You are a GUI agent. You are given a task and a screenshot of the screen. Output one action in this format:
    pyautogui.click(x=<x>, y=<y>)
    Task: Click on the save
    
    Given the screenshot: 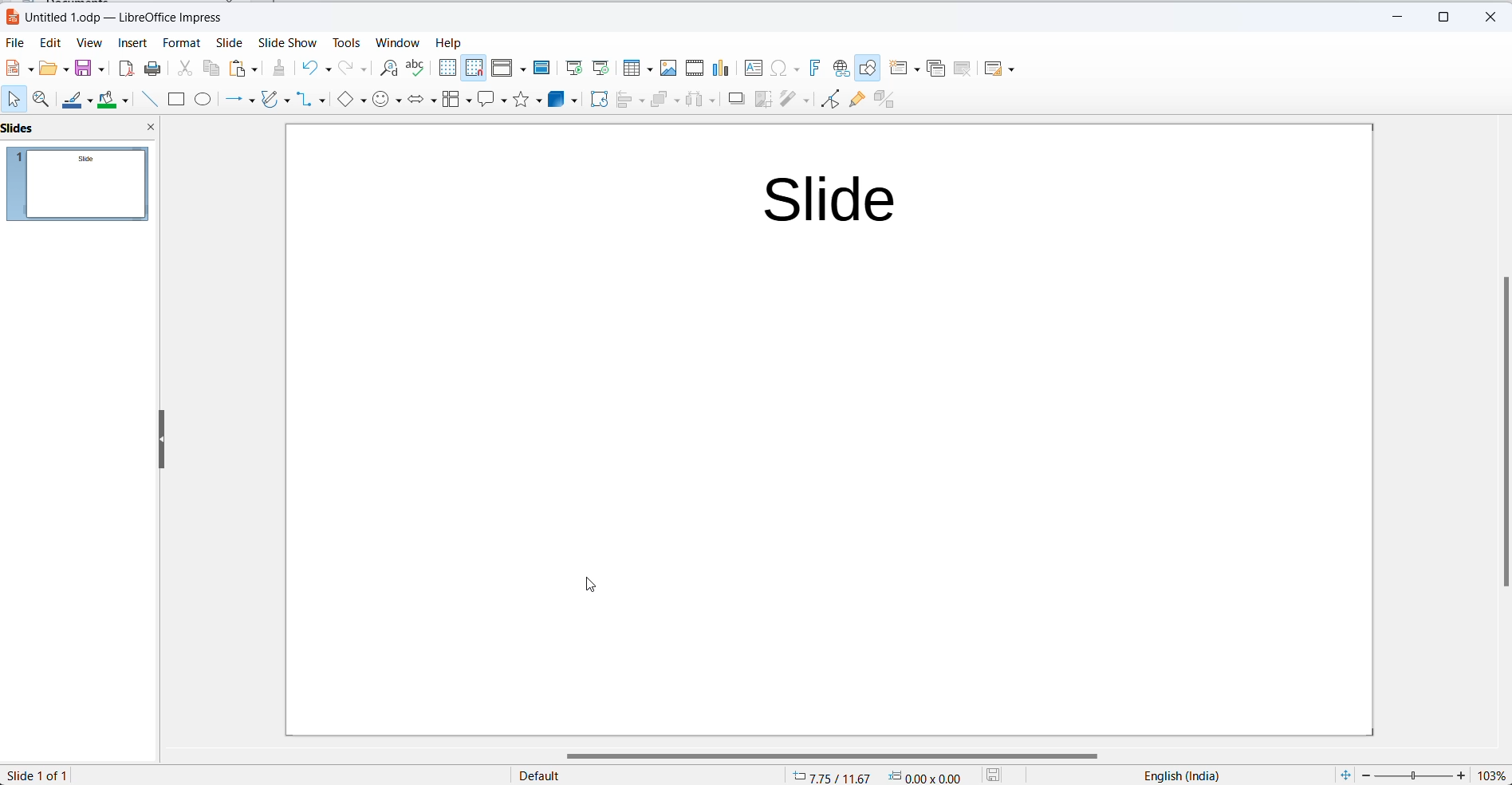 What is the action you would take?
    pyautogui.click(x=999, y=775)
    